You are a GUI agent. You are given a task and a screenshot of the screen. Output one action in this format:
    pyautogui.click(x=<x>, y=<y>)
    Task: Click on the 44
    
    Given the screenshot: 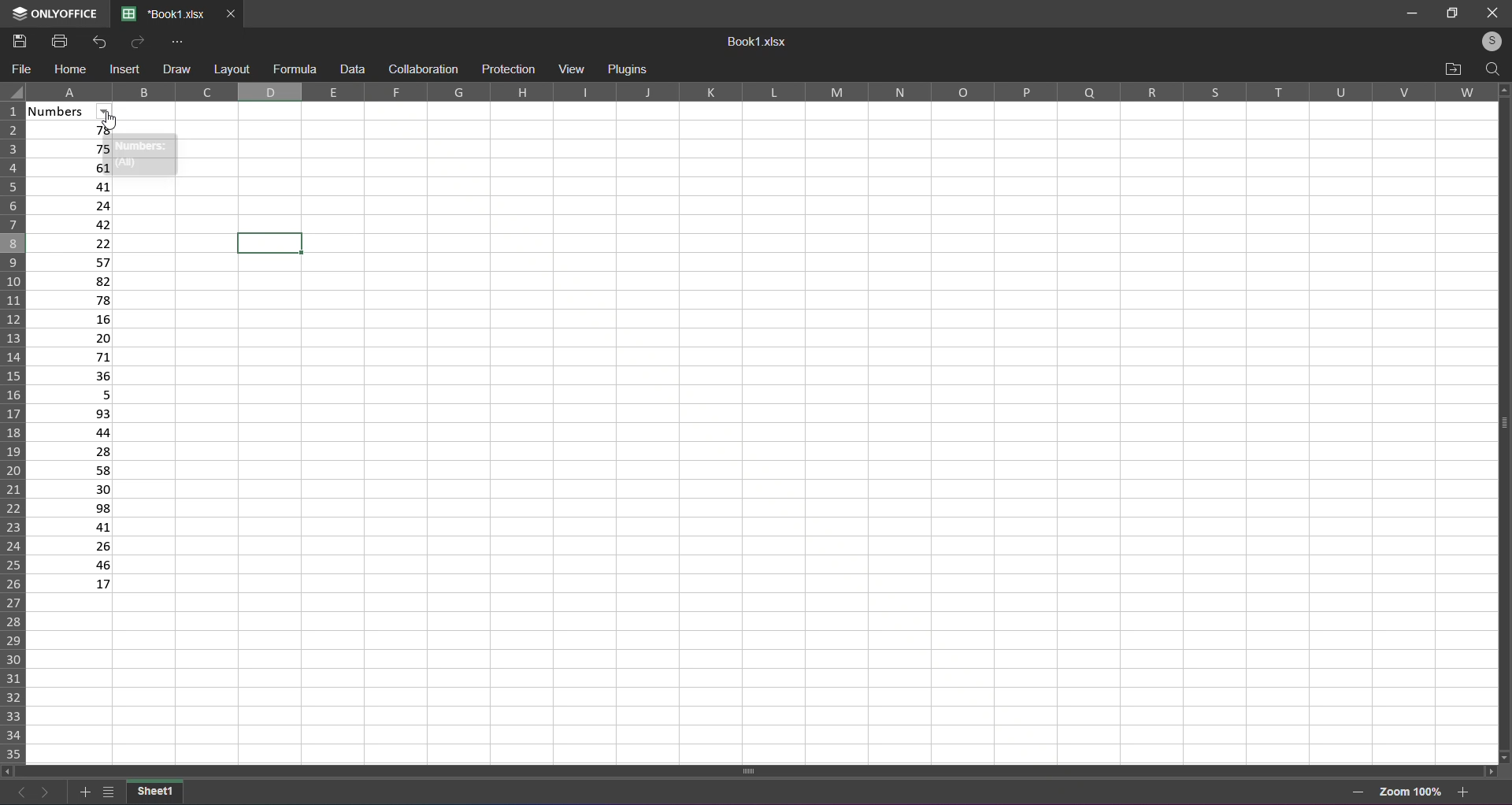 What is the action you would take?
    pyautogui.click(x=71, y=432)
    